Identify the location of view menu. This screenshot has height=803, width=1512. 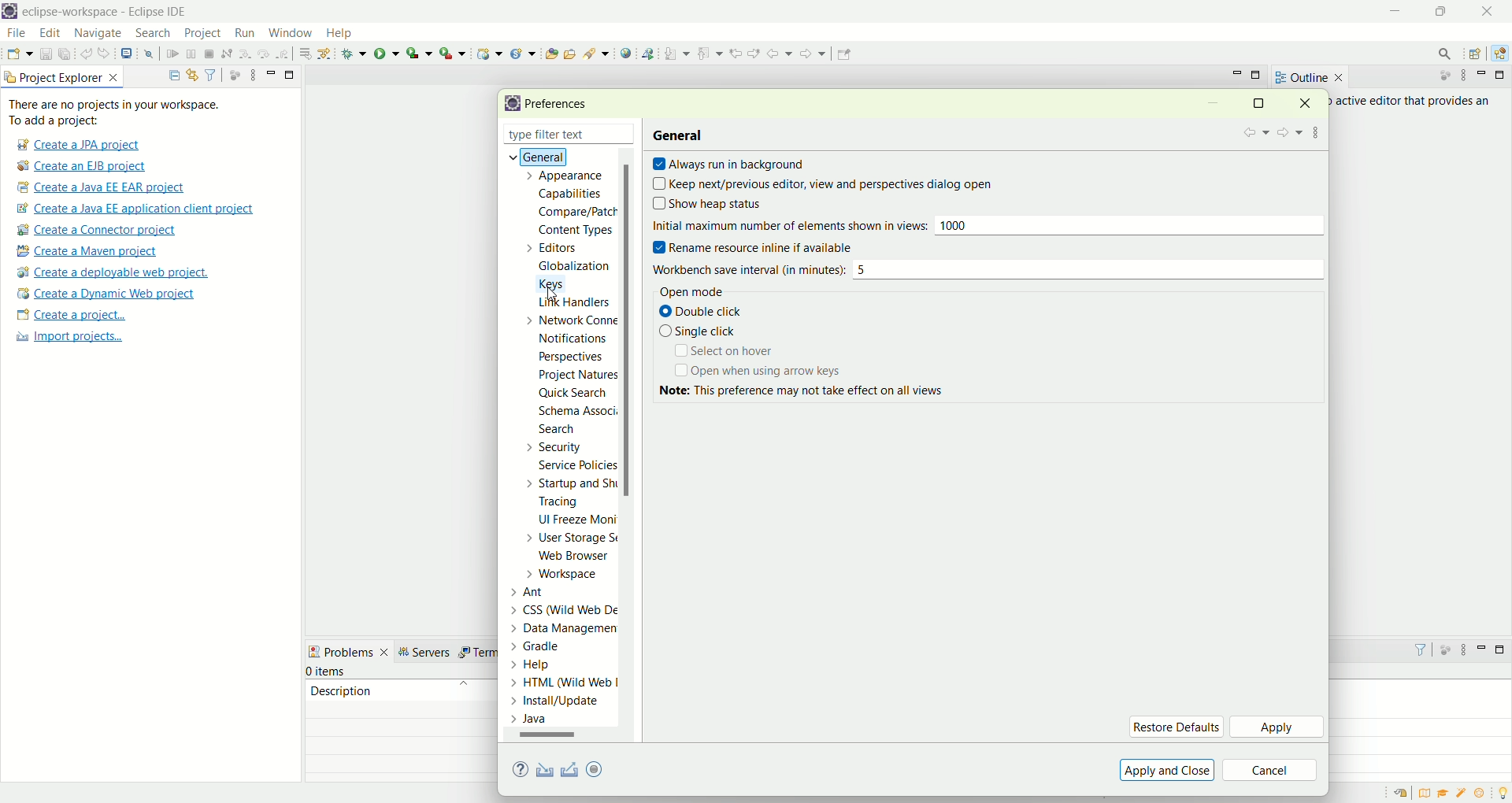
(1317, 130).